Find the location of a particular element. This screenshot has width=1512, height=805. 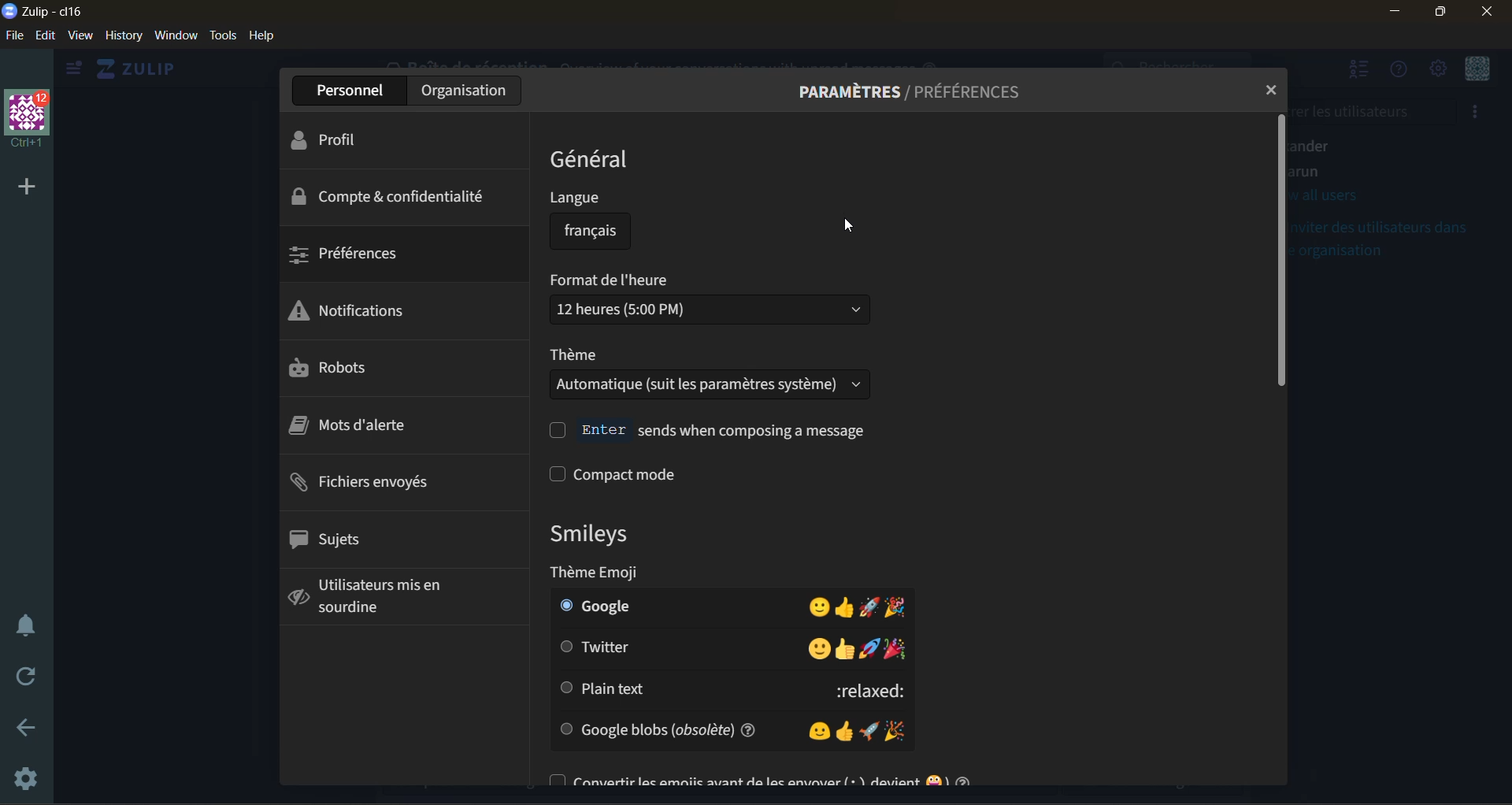

muted users is located at coordinates (362, 597).